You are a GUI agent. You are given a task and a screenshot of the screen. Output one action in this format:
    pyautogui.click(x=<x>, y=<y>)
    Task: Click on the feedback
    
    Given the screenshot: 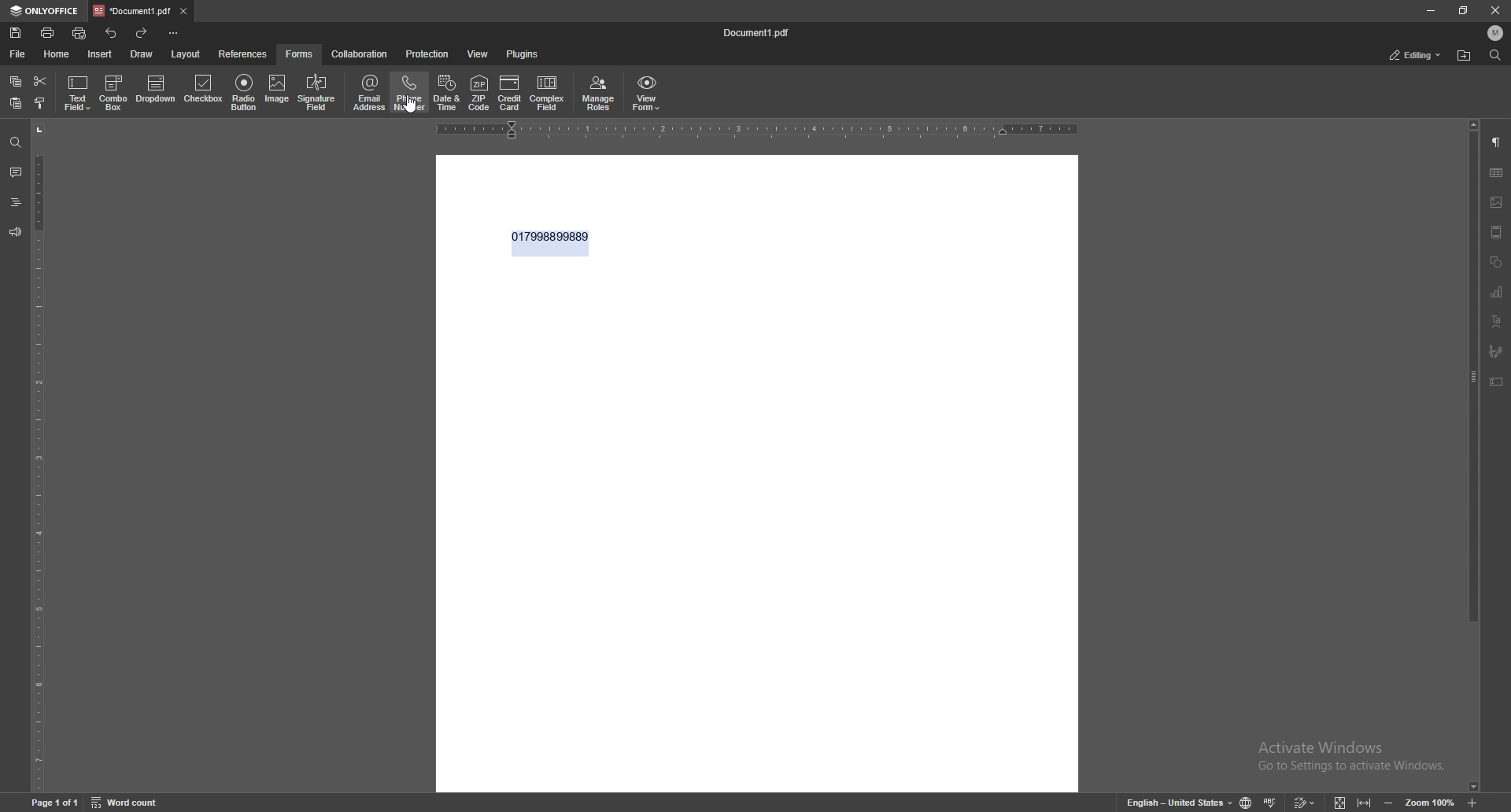 What is the action you would take?
    pyautogui.click(x=15, y=233)
    